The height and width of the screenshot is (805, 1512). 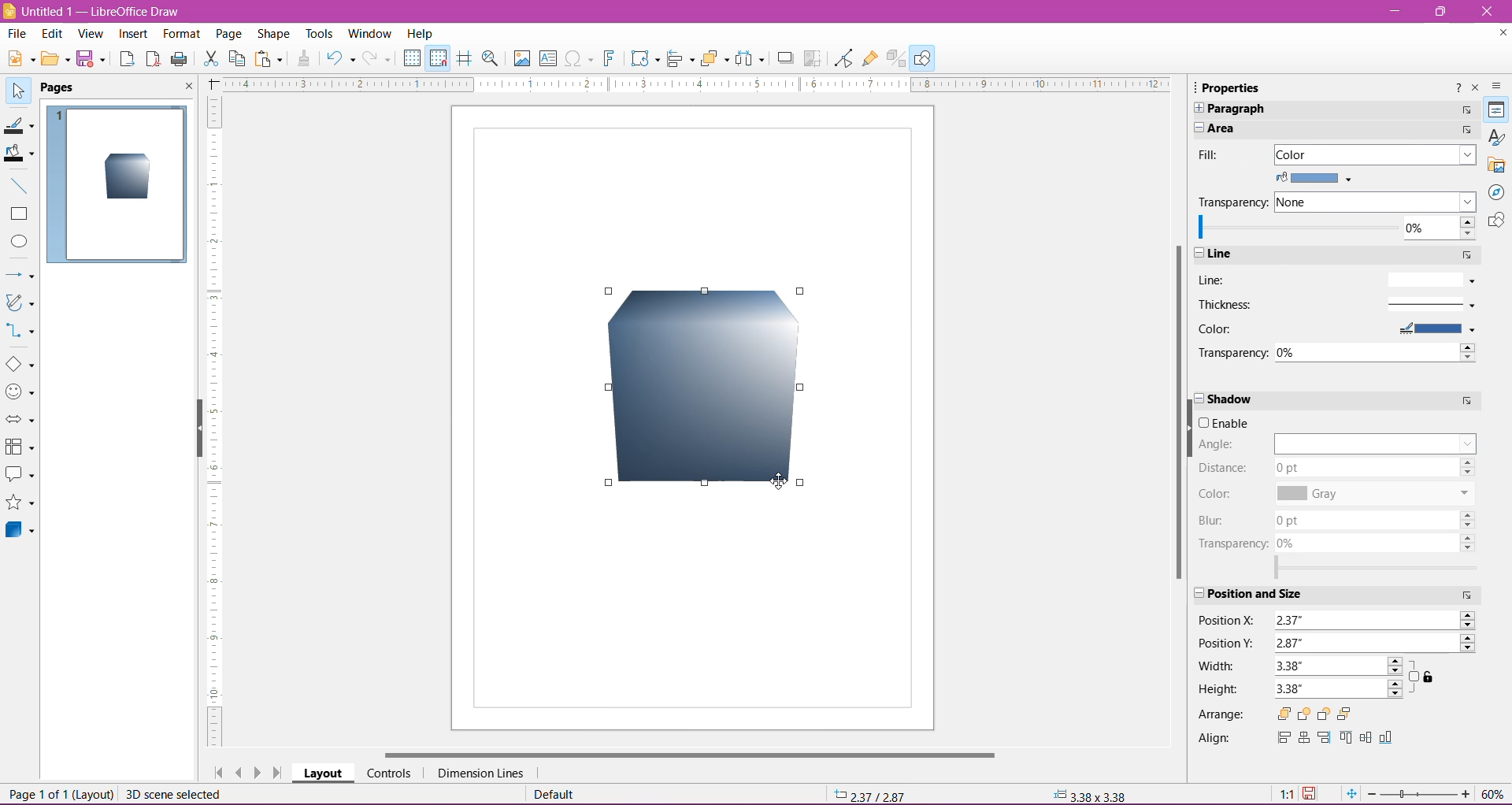 I want to click on Transparency, so click(x=1229, y=352).